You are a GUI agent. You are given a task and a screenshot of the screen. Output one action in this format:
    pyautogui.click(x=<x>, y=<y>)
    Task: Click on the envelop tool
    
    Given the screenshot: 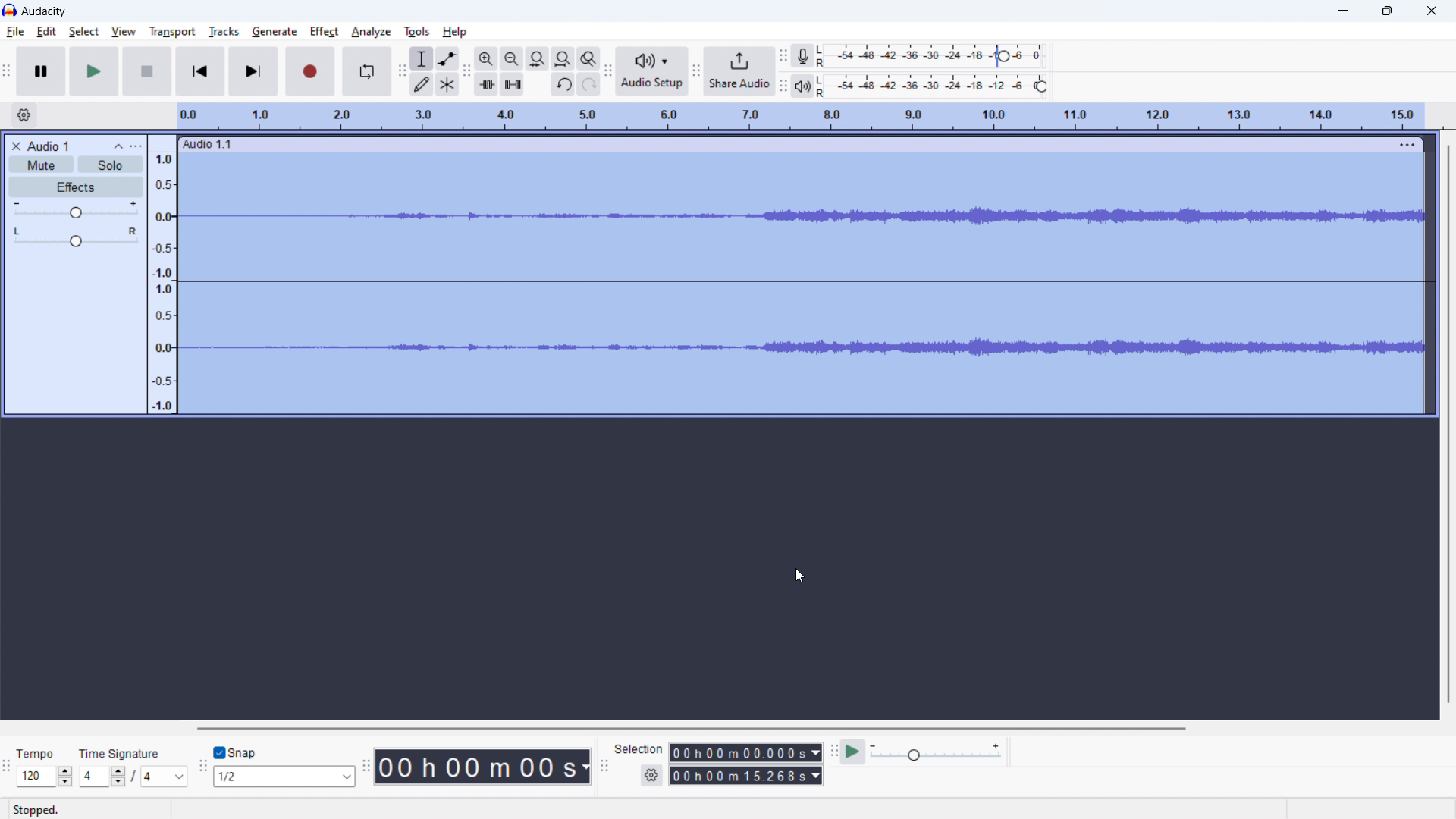 What is the action you would take?
    pyautogui.click(x=447, y=58)
    